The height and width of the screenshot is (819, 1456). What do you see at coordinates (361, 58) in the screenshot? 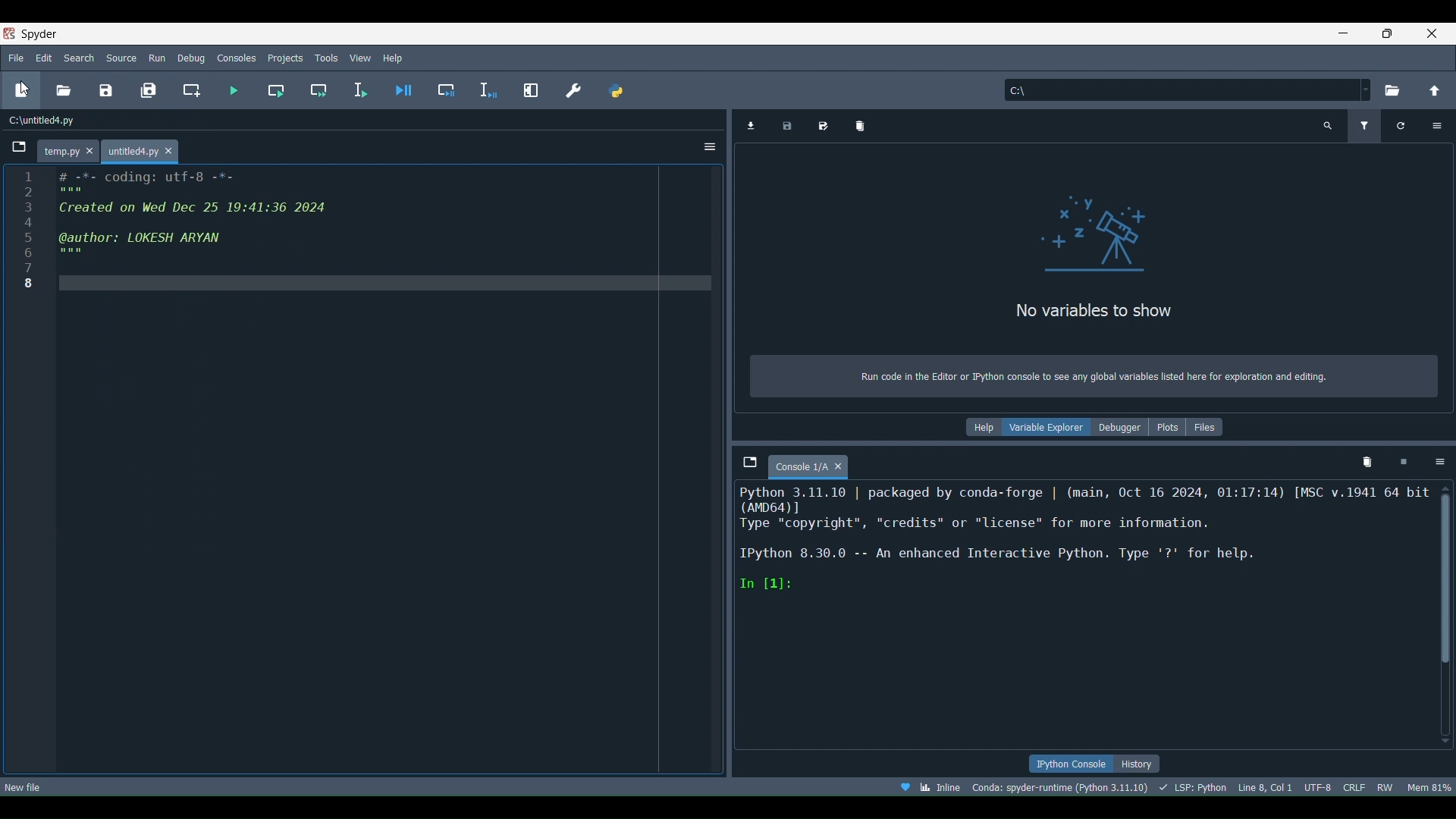
I see `View` at bounding box center [361, 58].